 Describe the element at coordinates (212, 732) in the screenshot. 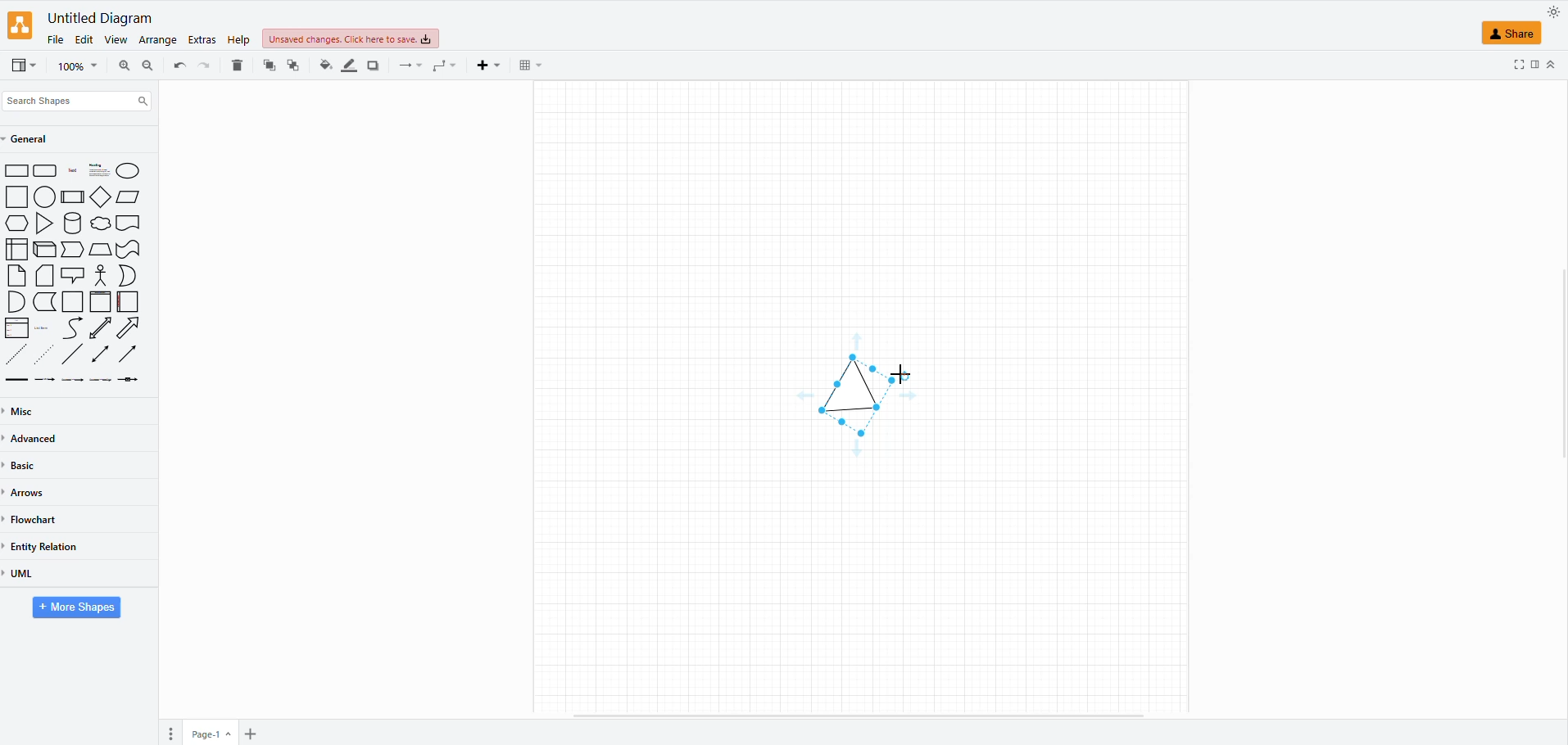

I see `page 1` at that location.